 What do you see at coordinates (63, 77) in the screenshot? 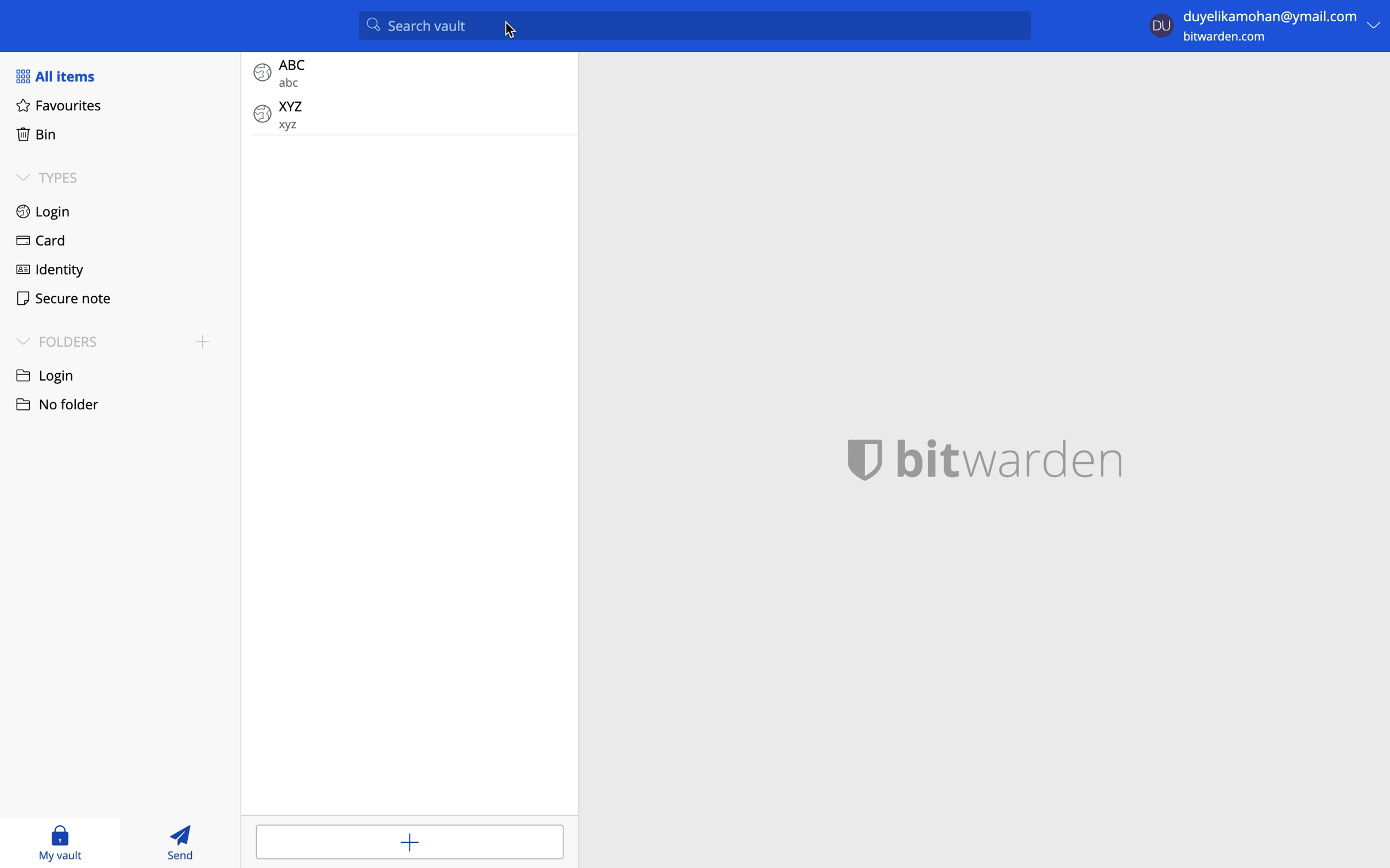
I see `all items` at bounding box center [63, 77].